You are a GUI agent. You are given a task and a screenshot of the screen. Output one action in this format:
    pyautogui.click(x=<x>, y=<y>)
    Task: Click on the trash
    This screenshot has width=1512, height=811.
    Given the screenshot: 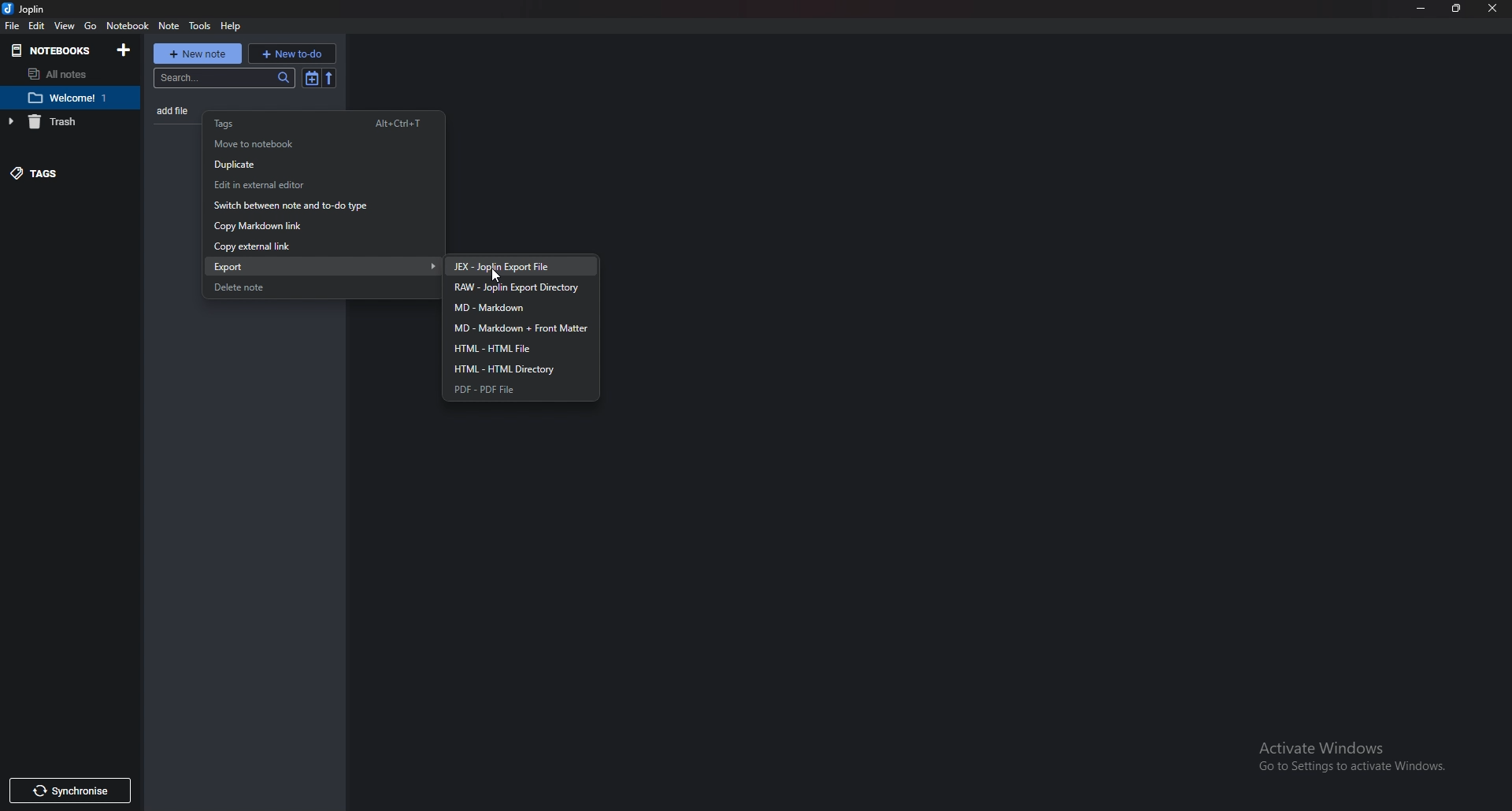 What is the action you would take?
    pyautogui.click(x=61, y=122)
    